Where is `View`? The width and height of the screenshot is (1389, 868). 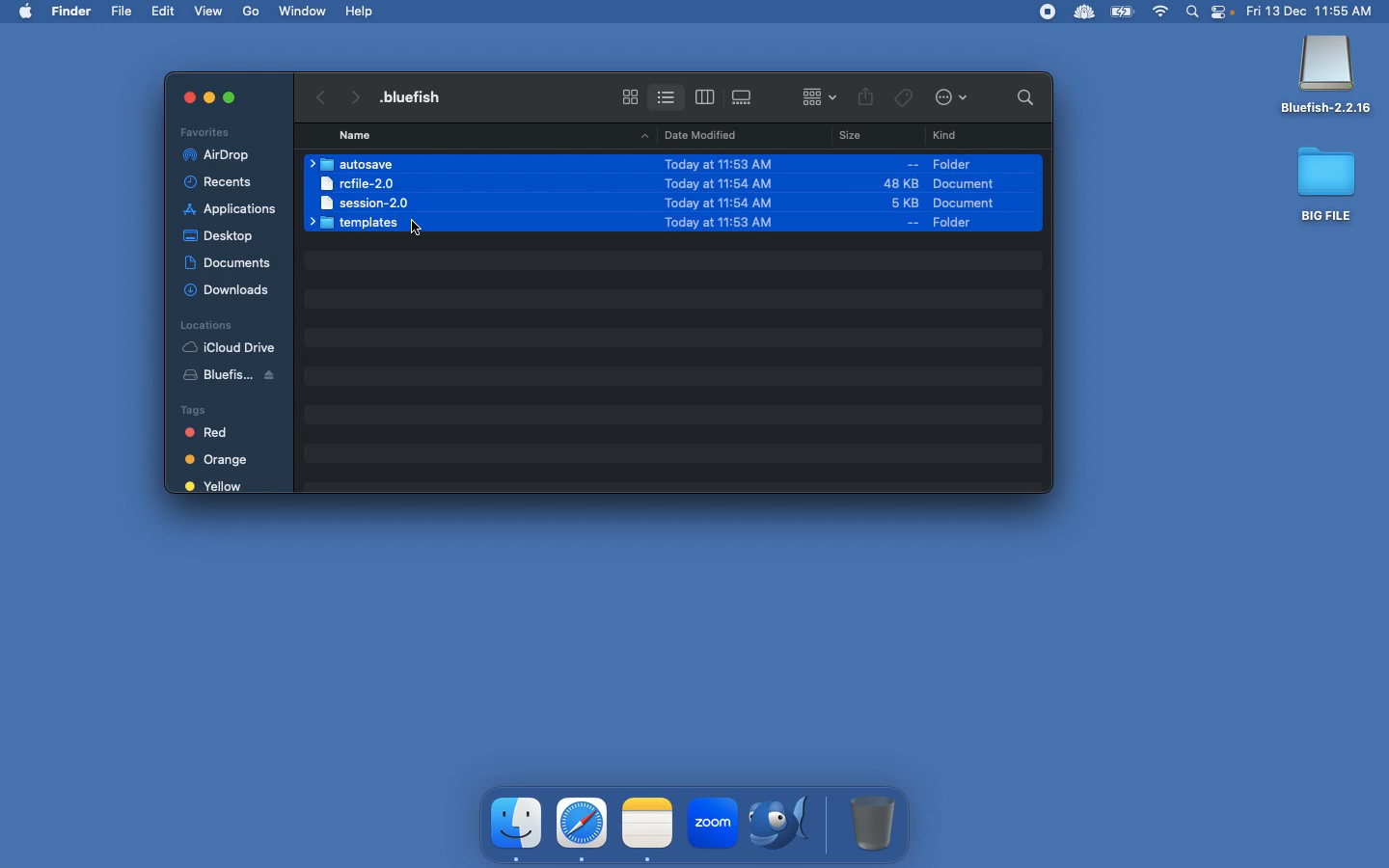 View is located at coordinates (210, 10).